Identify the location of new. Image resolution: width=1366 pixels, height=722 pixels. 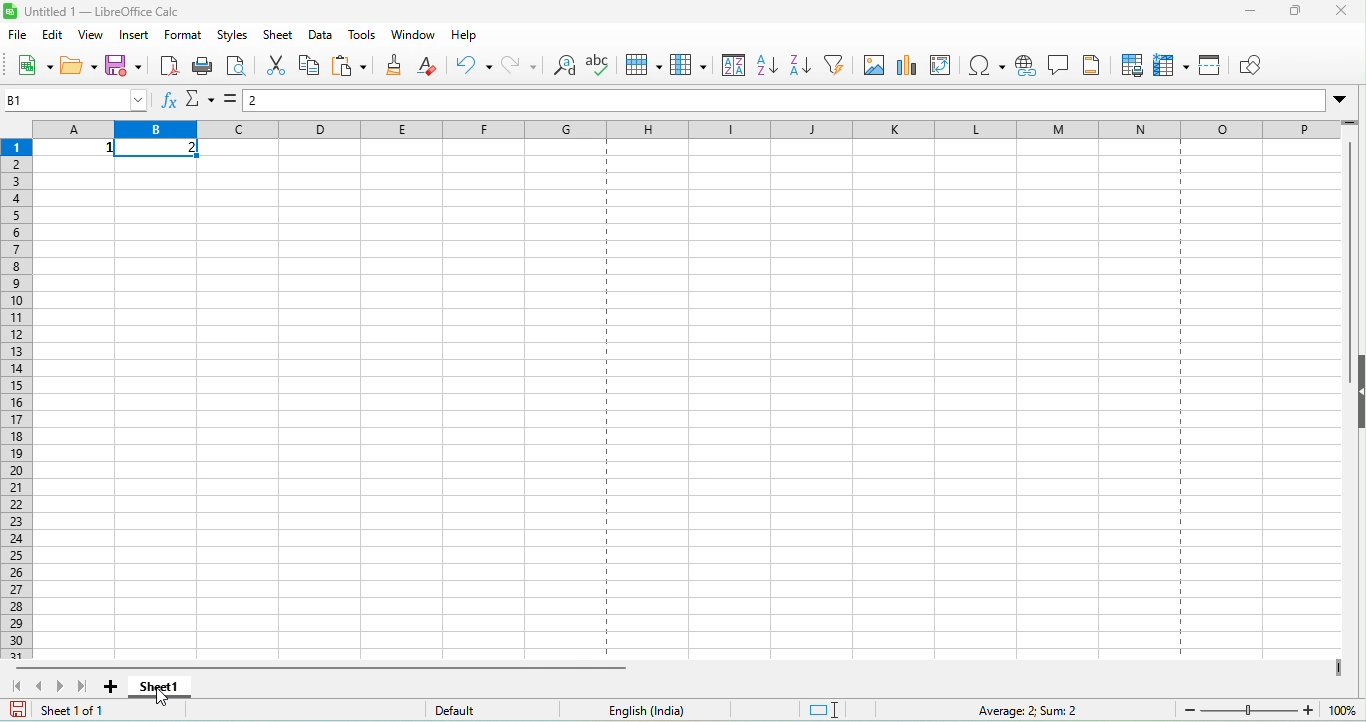
(29, 64).